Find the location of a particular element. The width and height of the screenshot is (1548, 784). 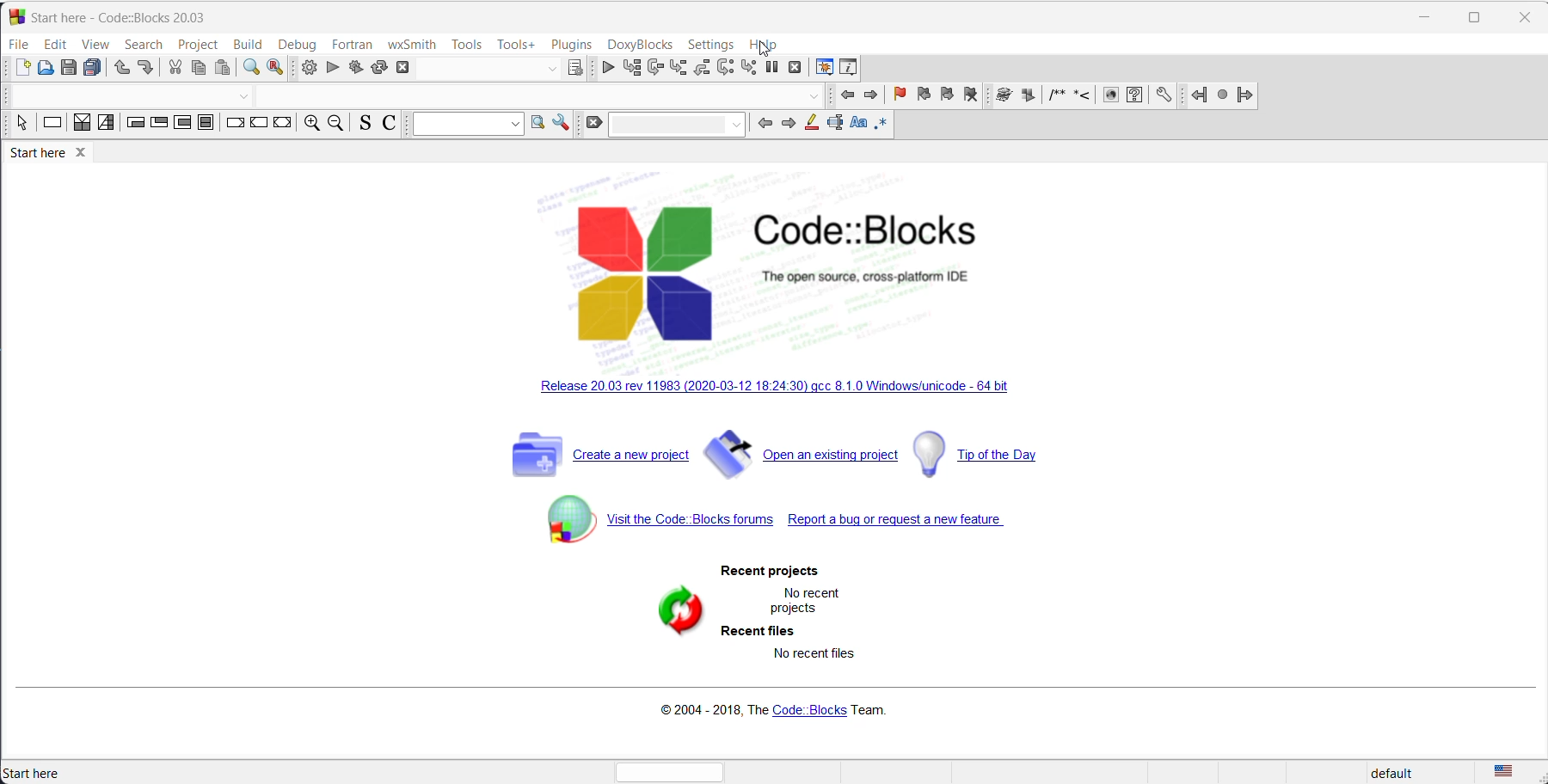

run to cursor is located at coordinates (631, 69).